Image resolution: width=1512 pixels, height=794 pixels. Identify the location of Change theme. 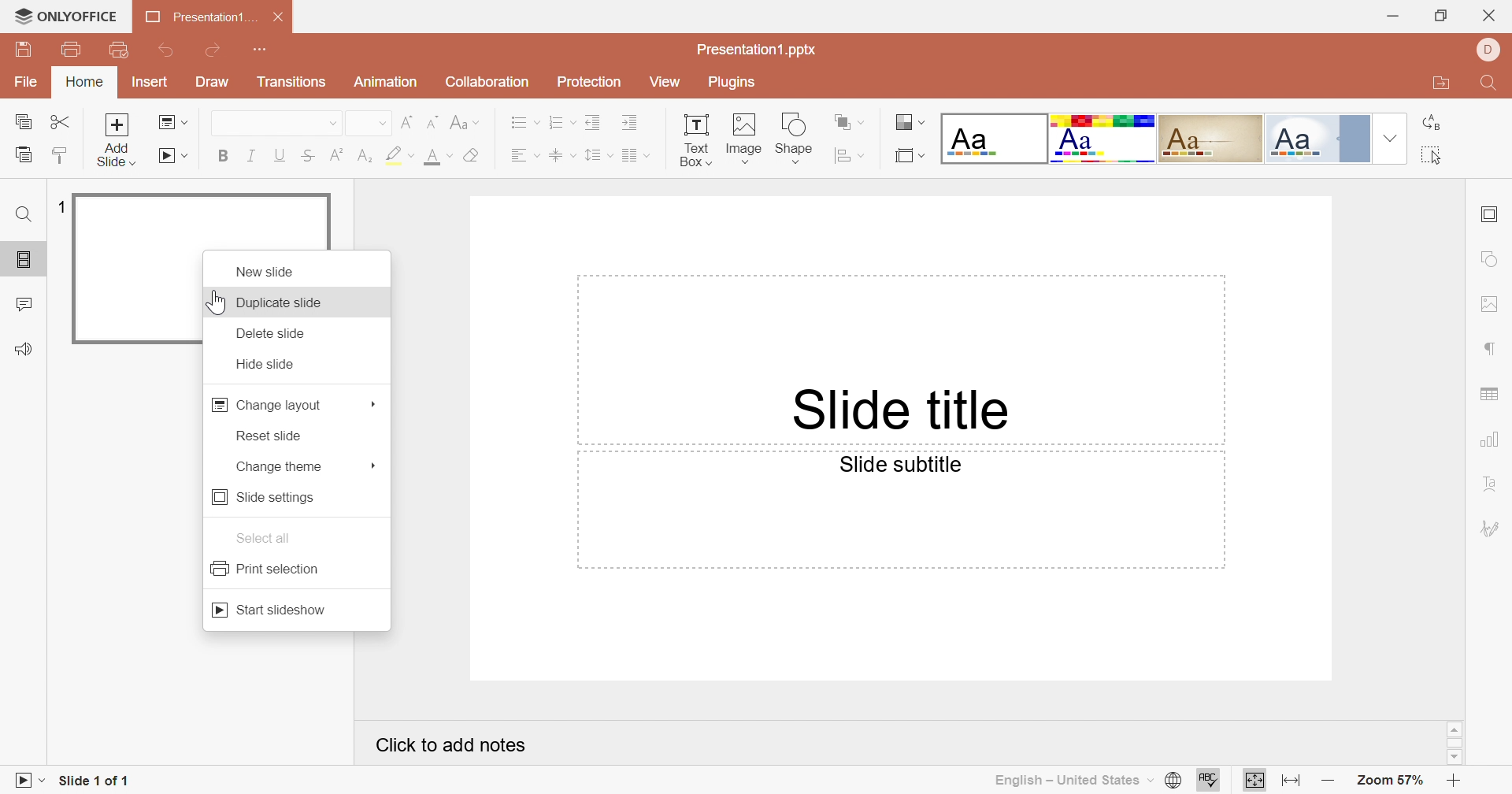
(283, 466).